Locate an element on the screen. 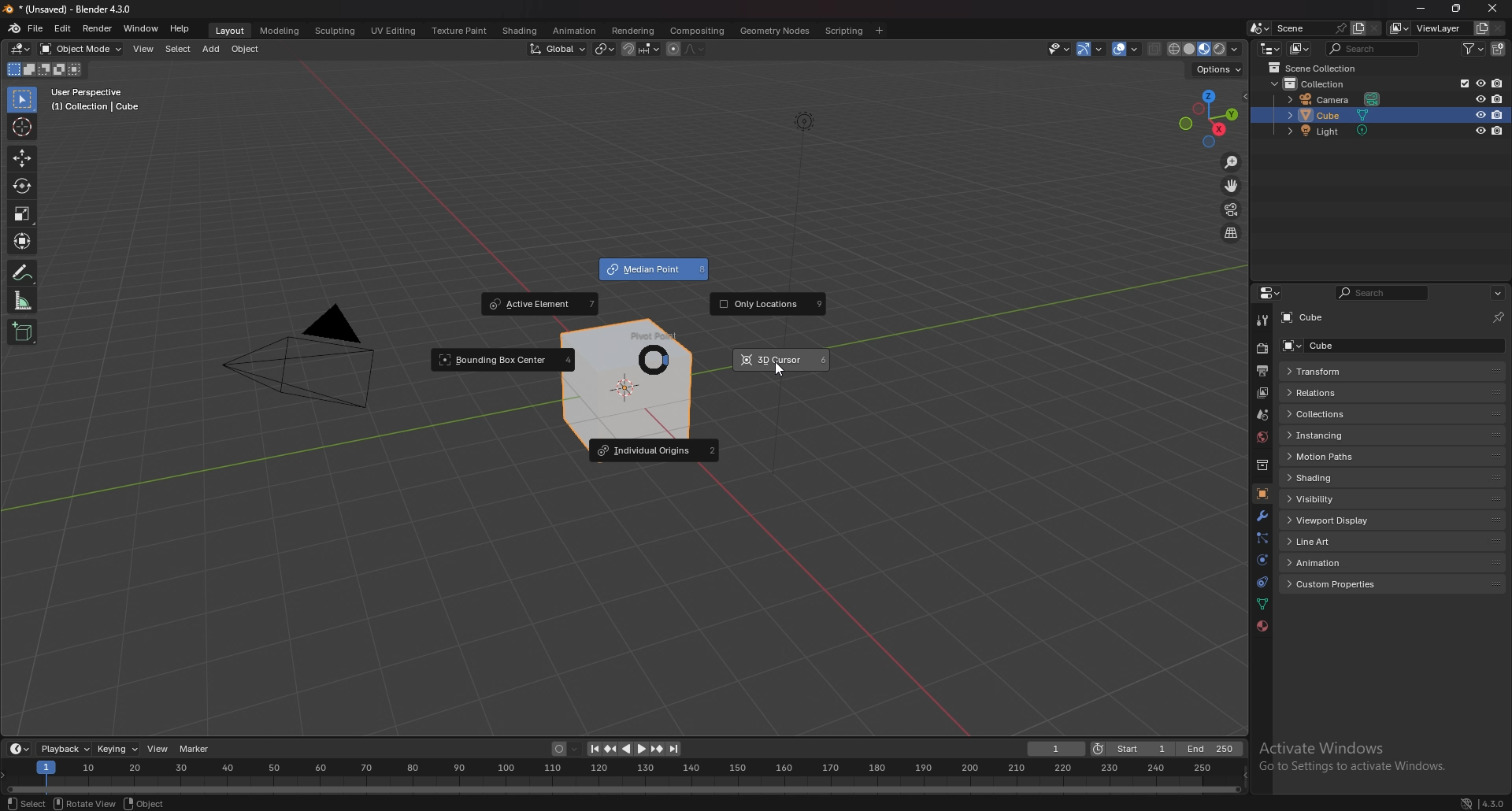  motion paths is located at coordinates (1337, 457).